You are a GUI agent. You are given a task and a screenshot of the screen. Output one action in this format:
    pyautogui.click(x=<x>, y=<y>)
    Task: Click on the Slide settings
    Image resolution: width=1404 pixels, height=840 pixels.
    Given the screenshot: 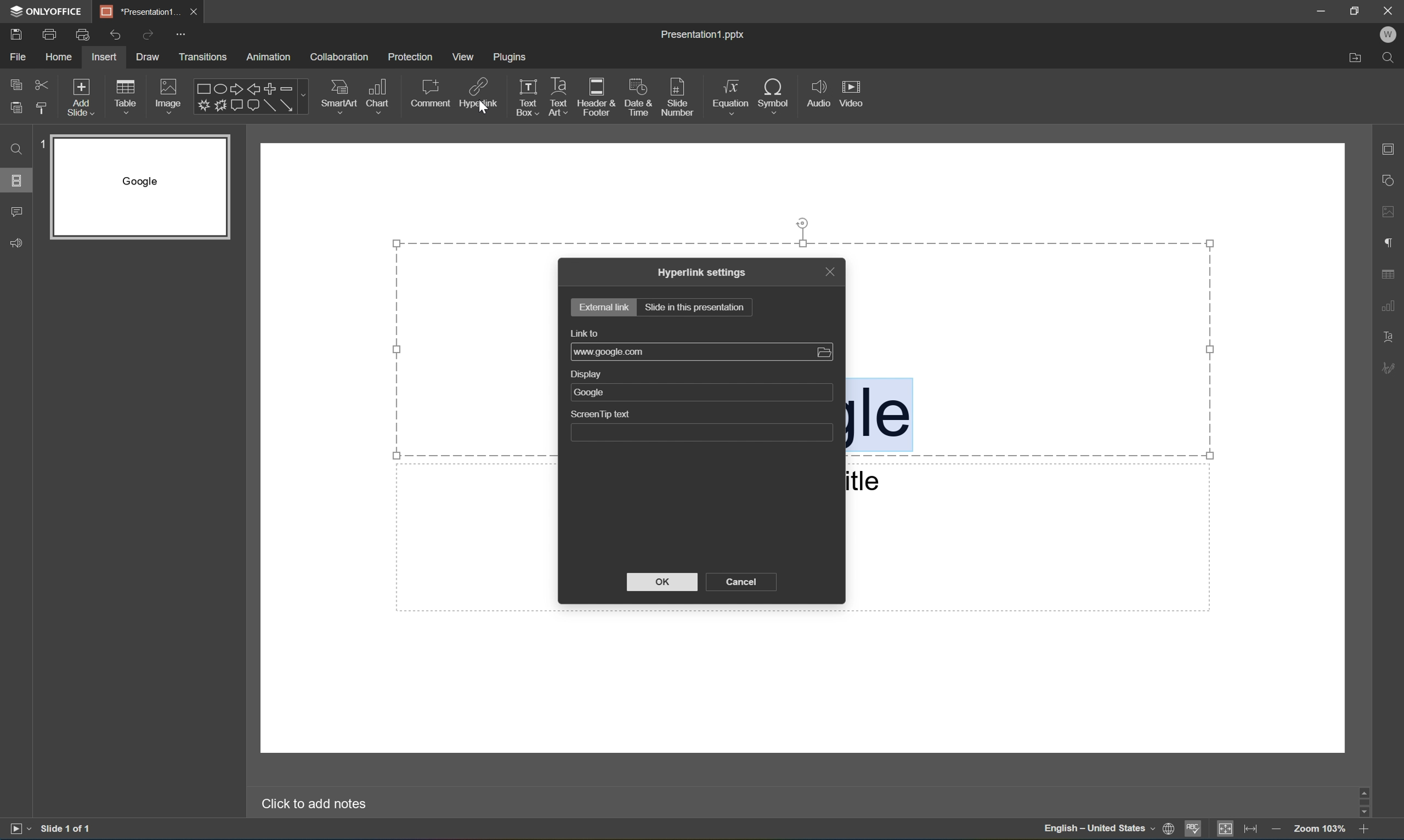 What is the action you would take?
    pyautogui.click(x=1390, y=148)
    